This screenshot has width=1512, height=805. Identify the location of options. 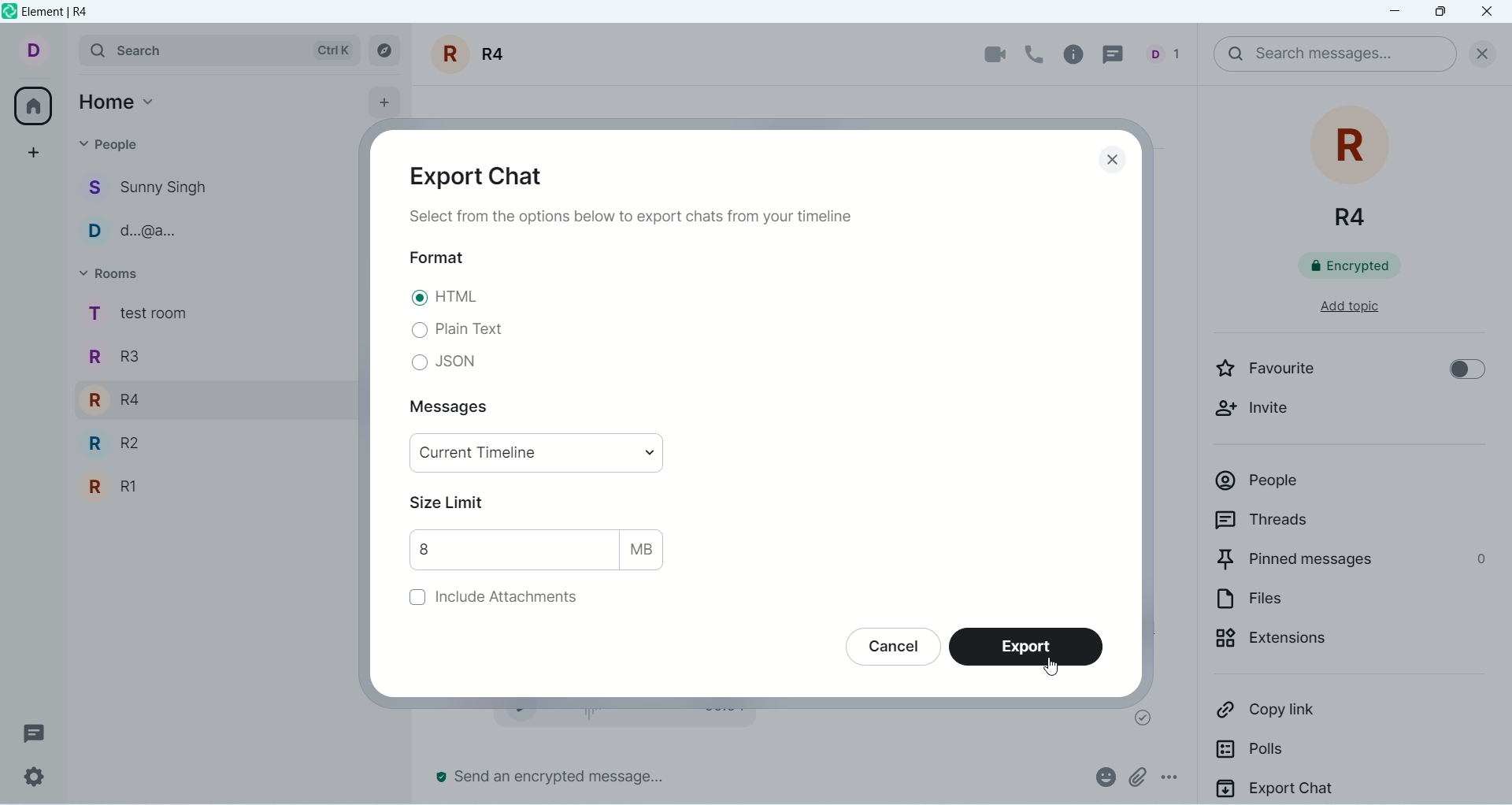
(1178, 780).